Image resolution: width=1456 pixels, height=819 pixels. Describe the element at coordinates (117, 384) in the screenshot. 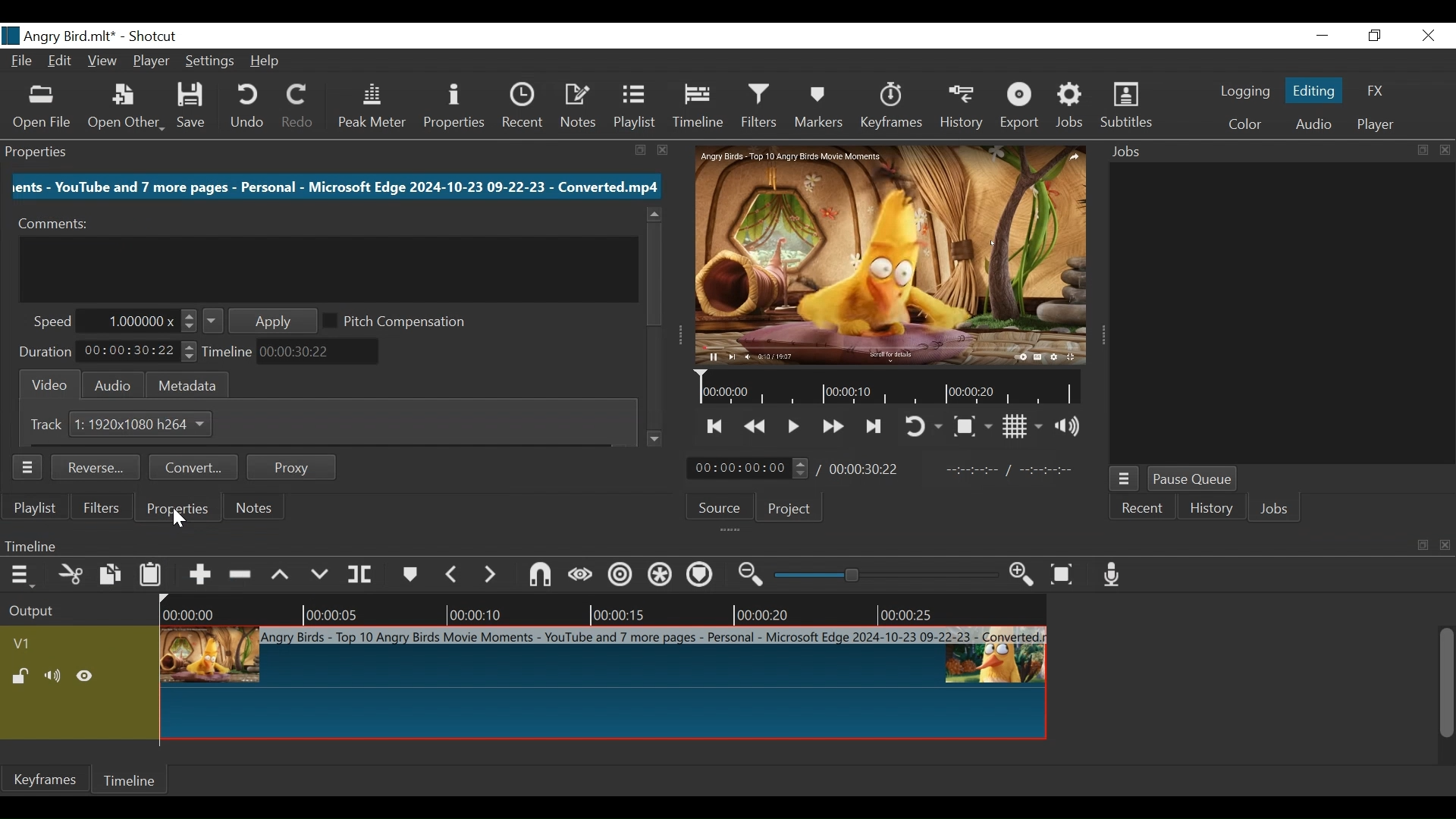

I see `Audio` at that location.